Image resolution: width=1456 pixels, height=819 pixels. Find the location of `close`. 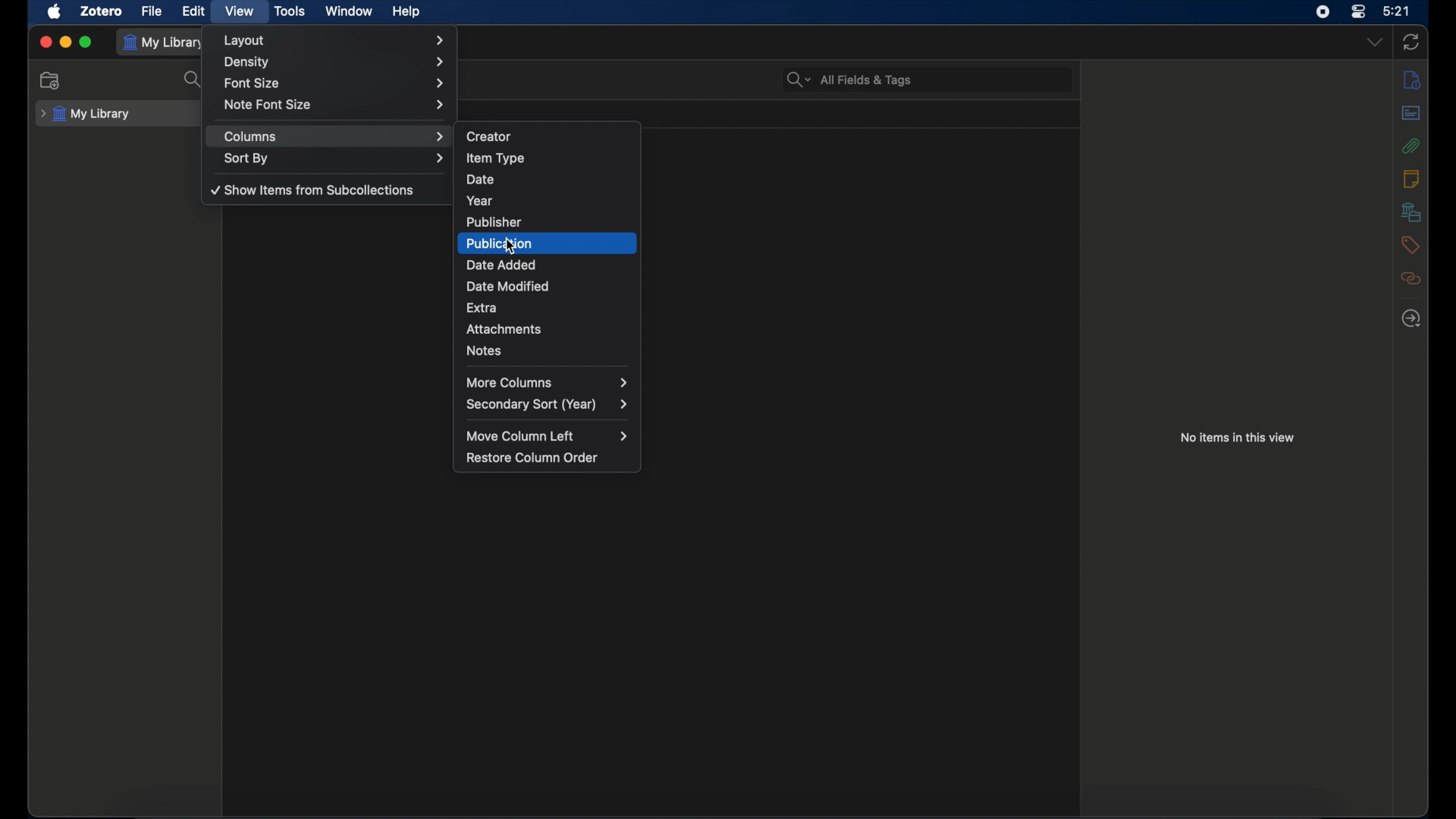

close is located at coordinates (45, 41).